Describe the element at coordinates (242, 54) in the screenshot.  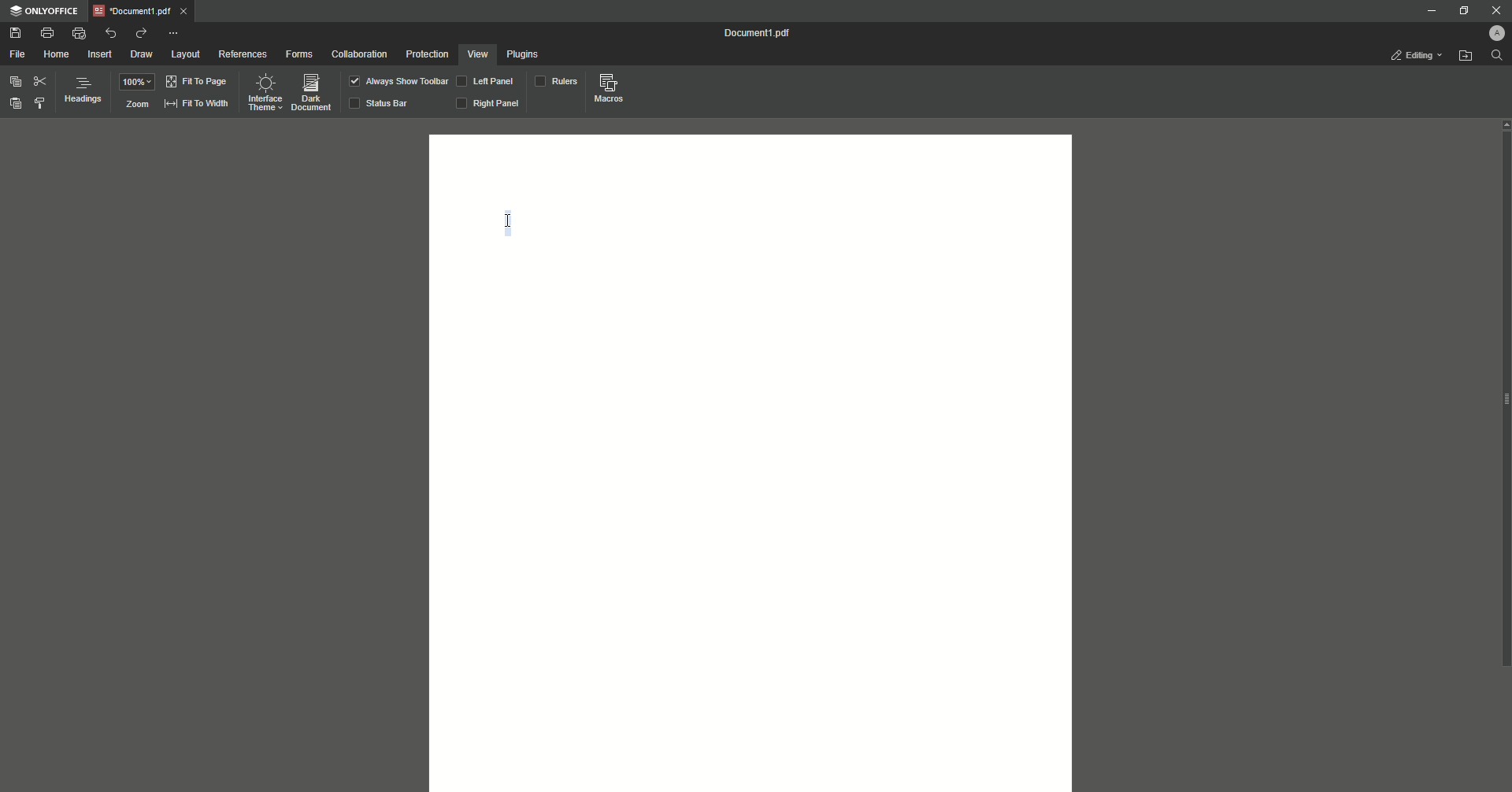
I see `References` at that location.